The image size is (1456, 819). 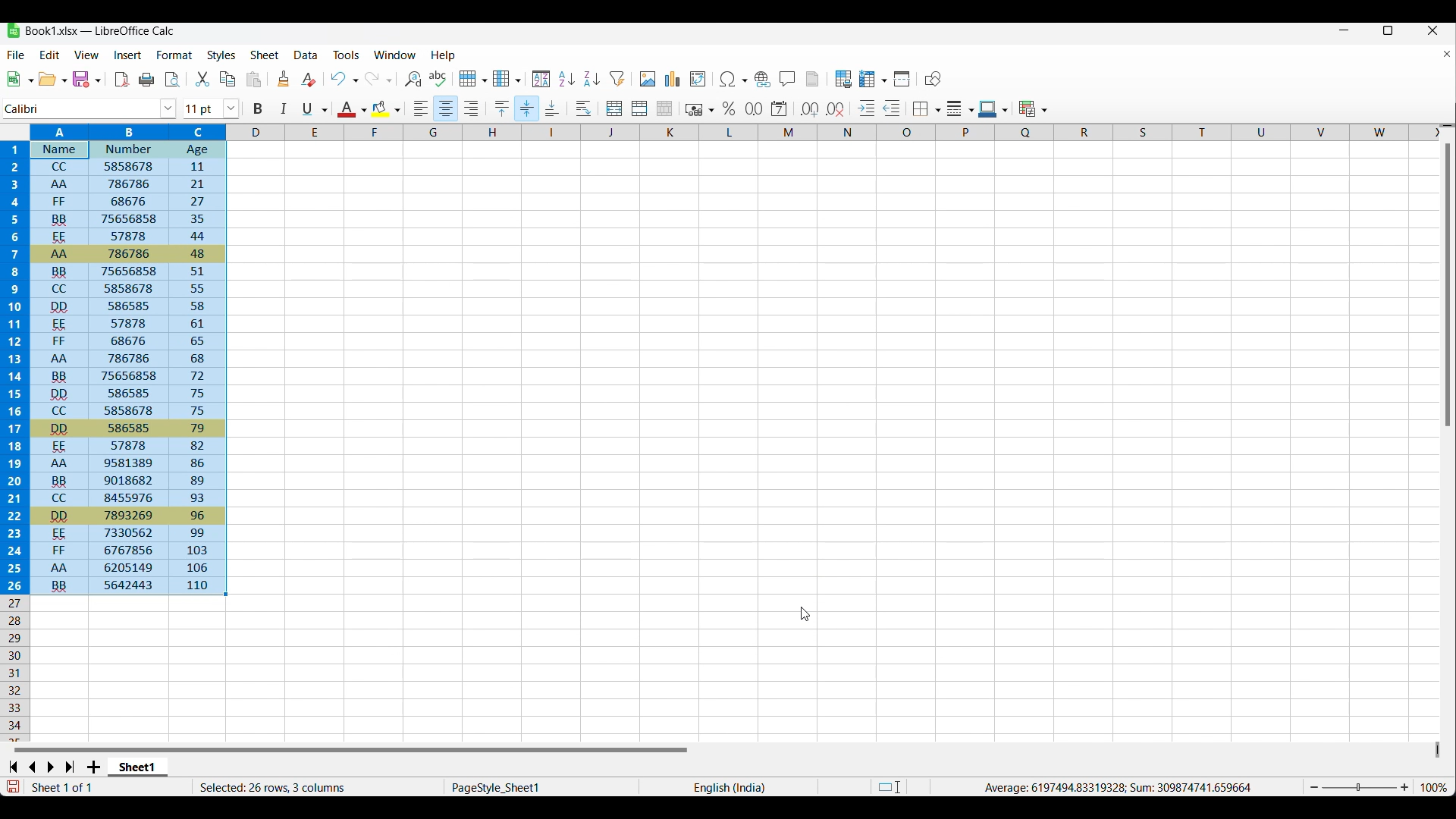 I want to click on Close interface, so click(x=1433, y=30).